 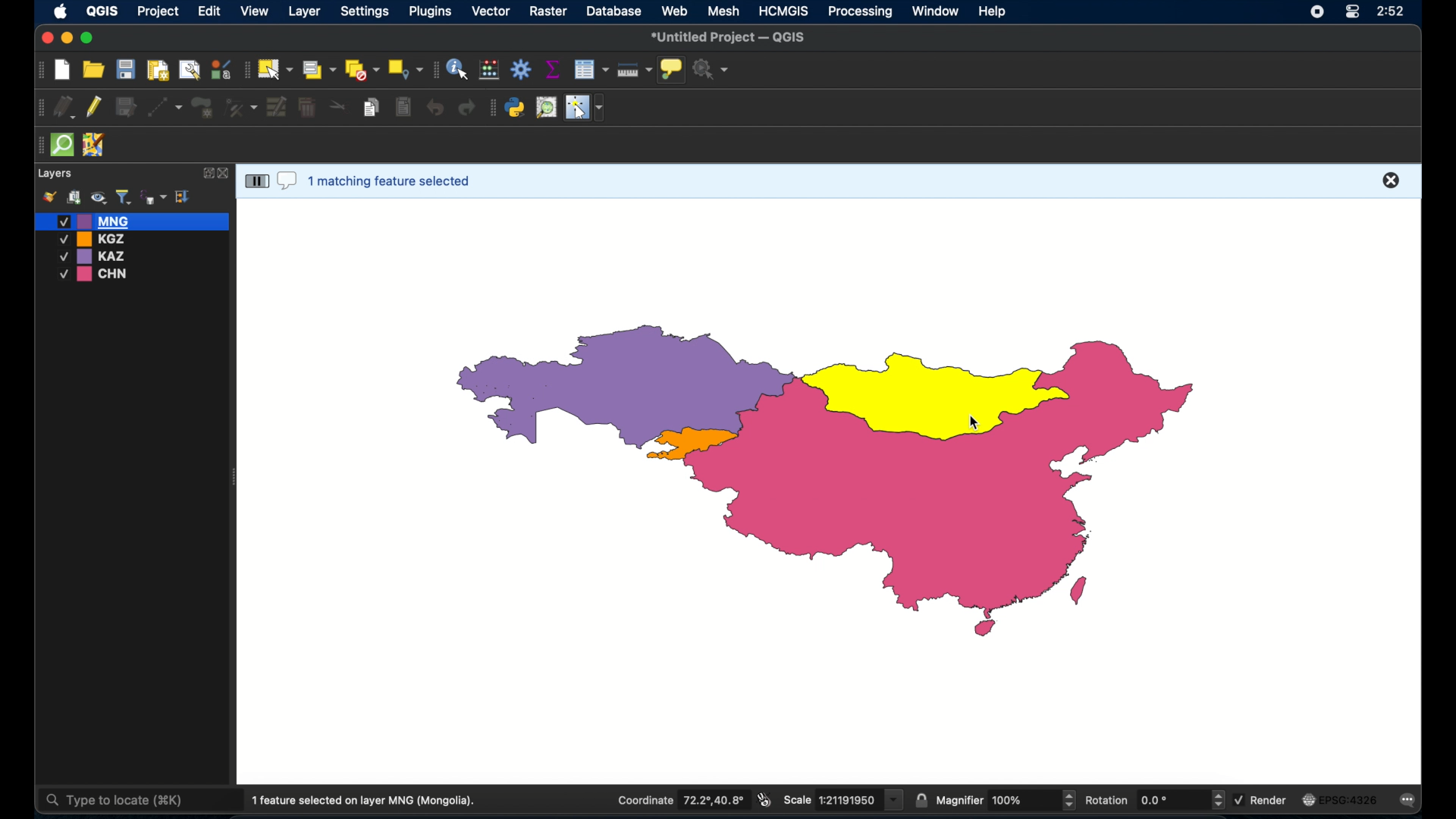 What do you see at coordinates (1264, 799) in the screenshot?
I see `render` at bounding box center [1264, 799].